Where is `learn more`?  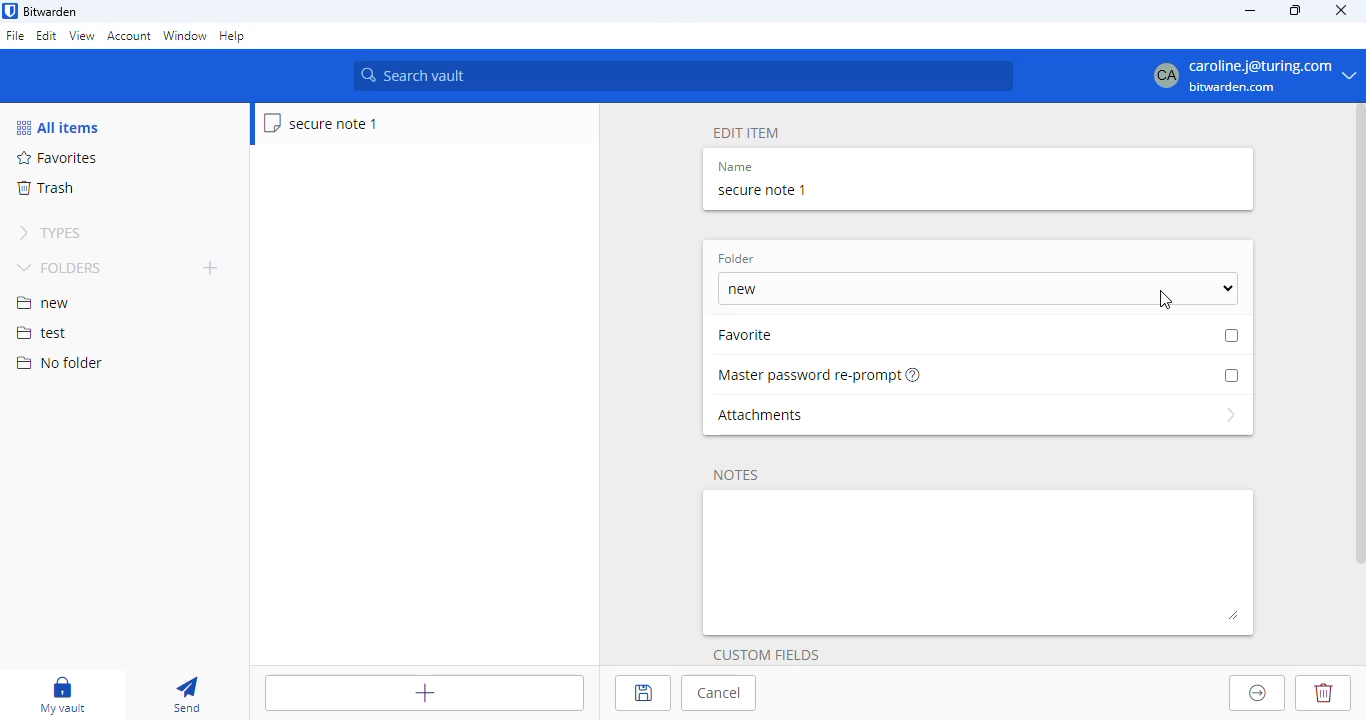 learn more is located at coordinates (915, 374).